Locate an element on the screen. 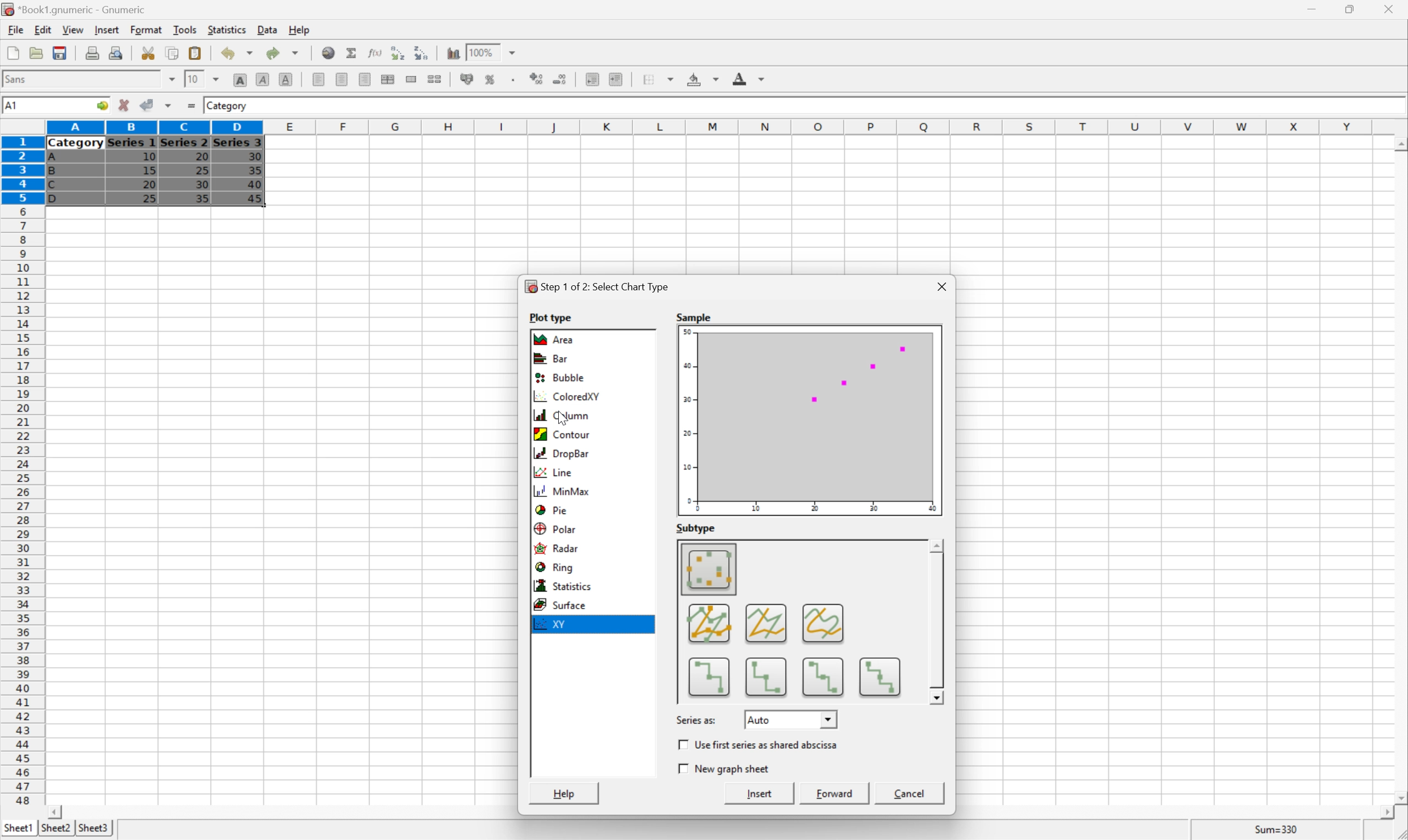 The height and width of the screenshot is (840, 1408). 10 is located at coordinates (149, 157).